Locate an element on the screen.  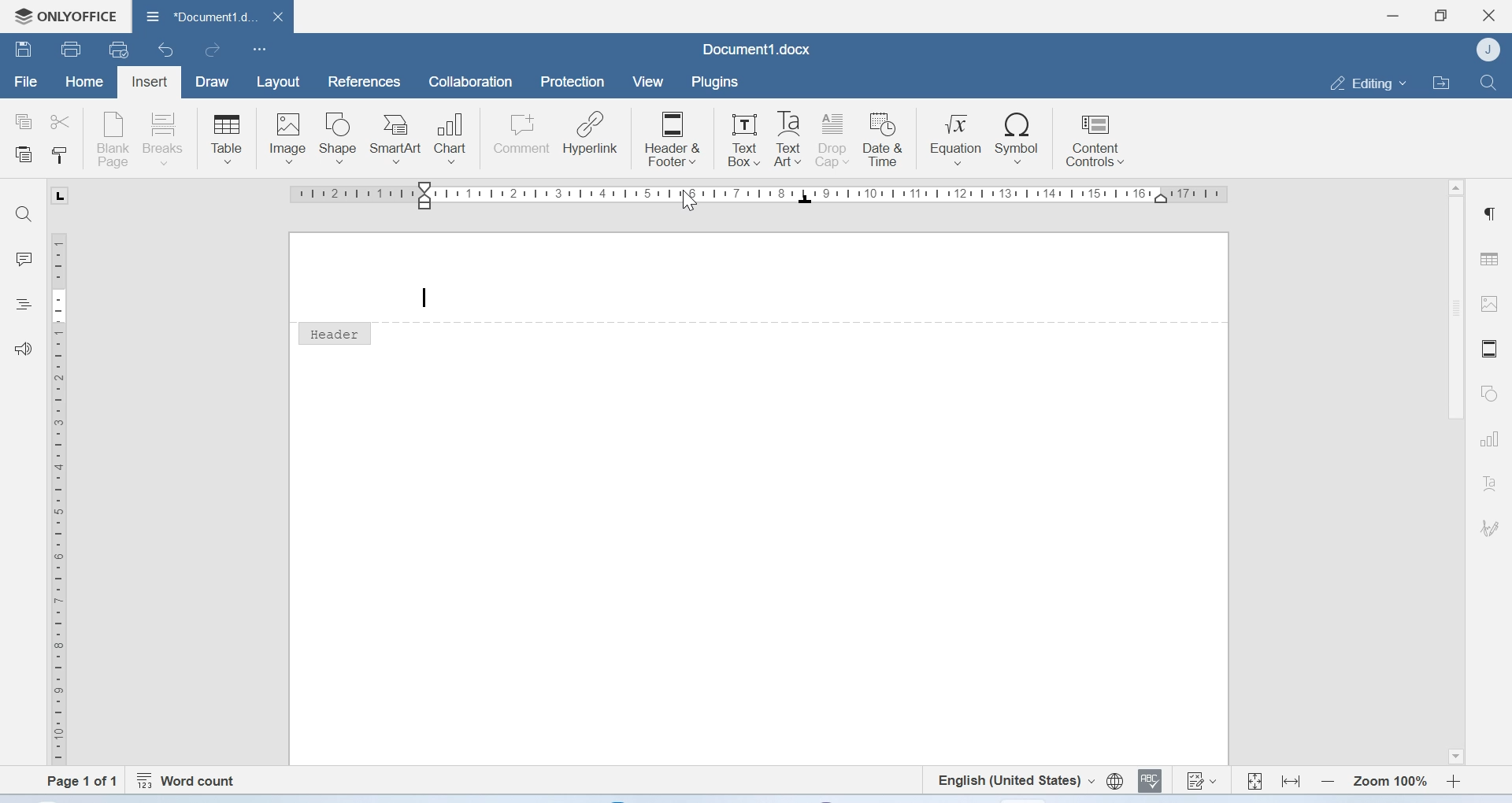
L is located at coordinates (58, 195).